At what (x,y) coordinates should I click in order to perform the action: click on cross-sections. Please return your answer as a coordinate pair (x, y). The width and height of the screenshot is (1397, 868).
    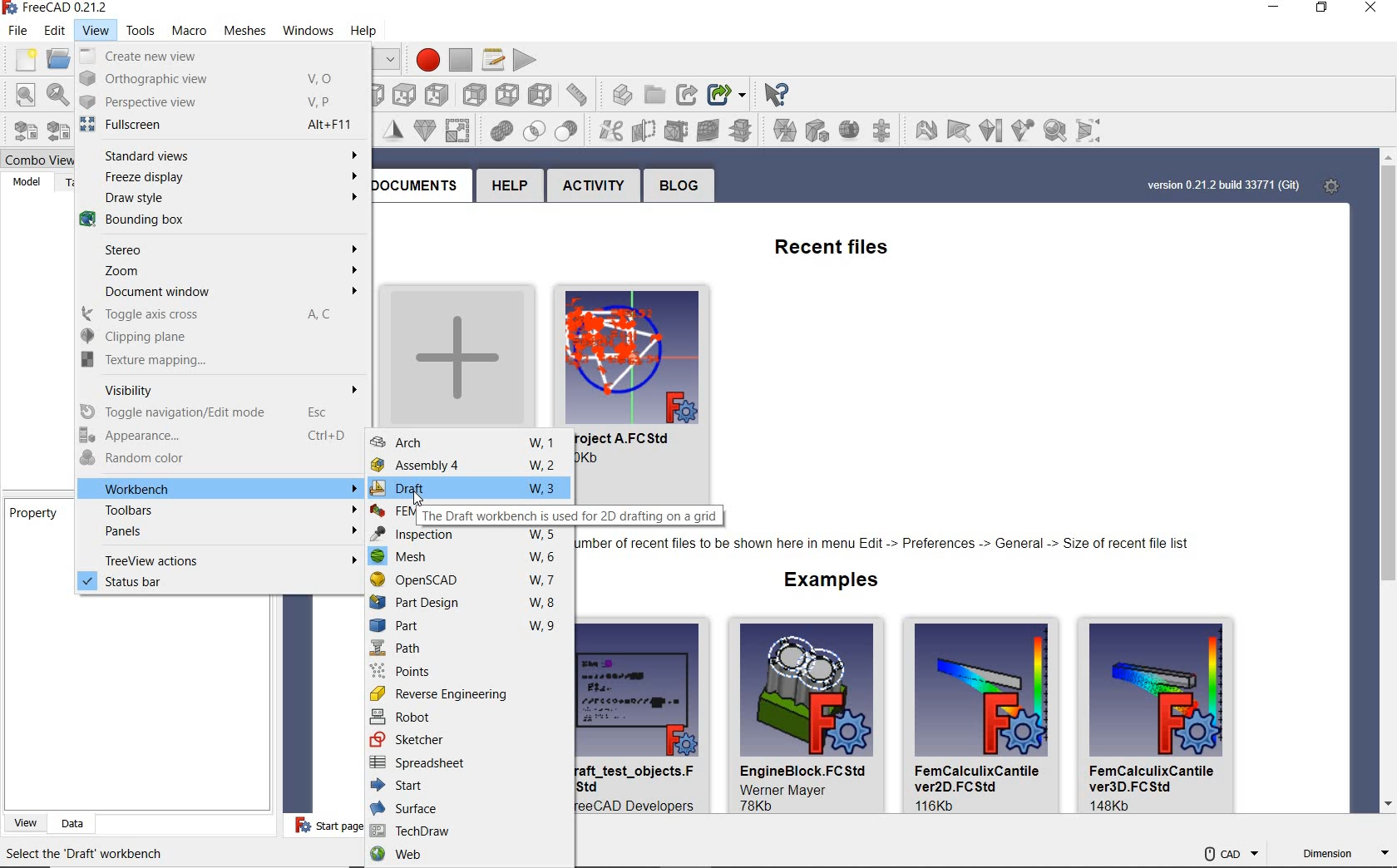
    Looking at the image, I should click on (712, 130).